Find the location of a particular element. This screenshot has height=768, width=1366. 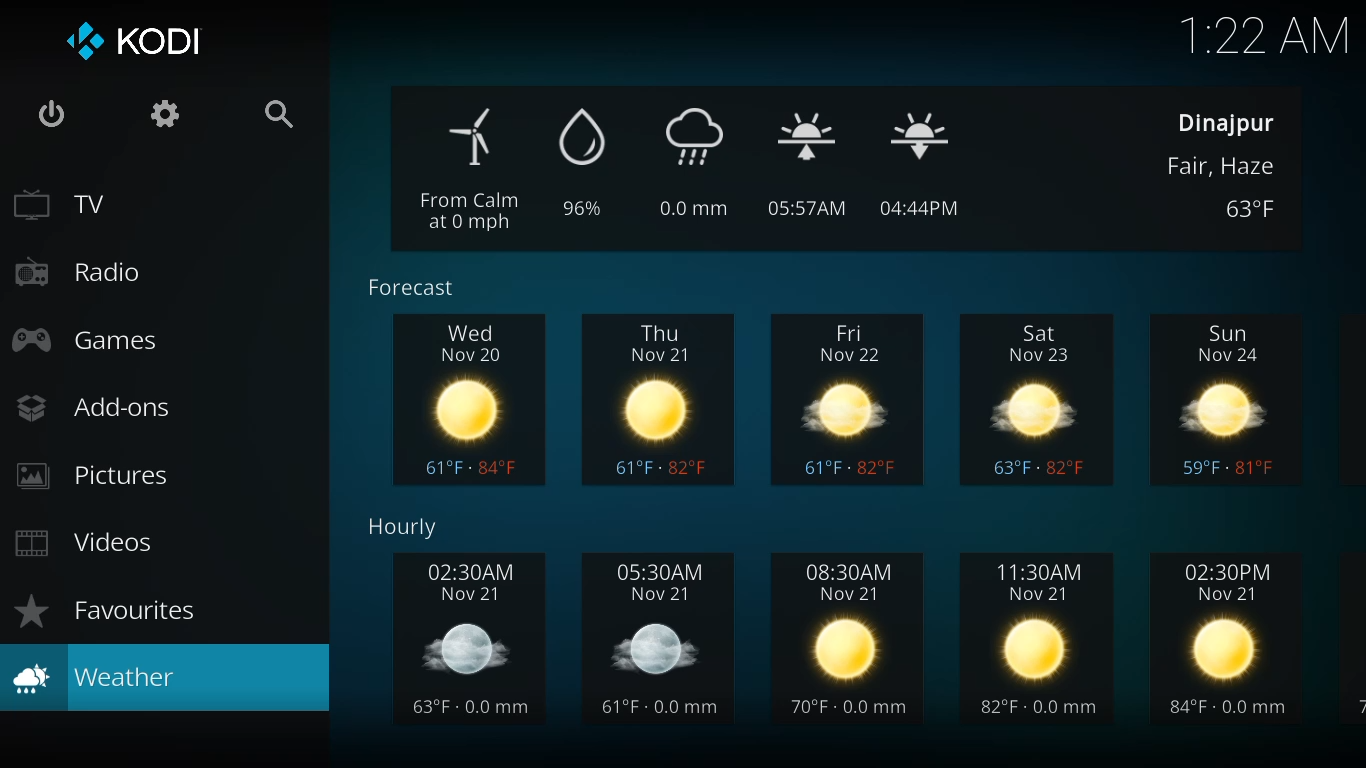

power is located at coordinates (47, 114).